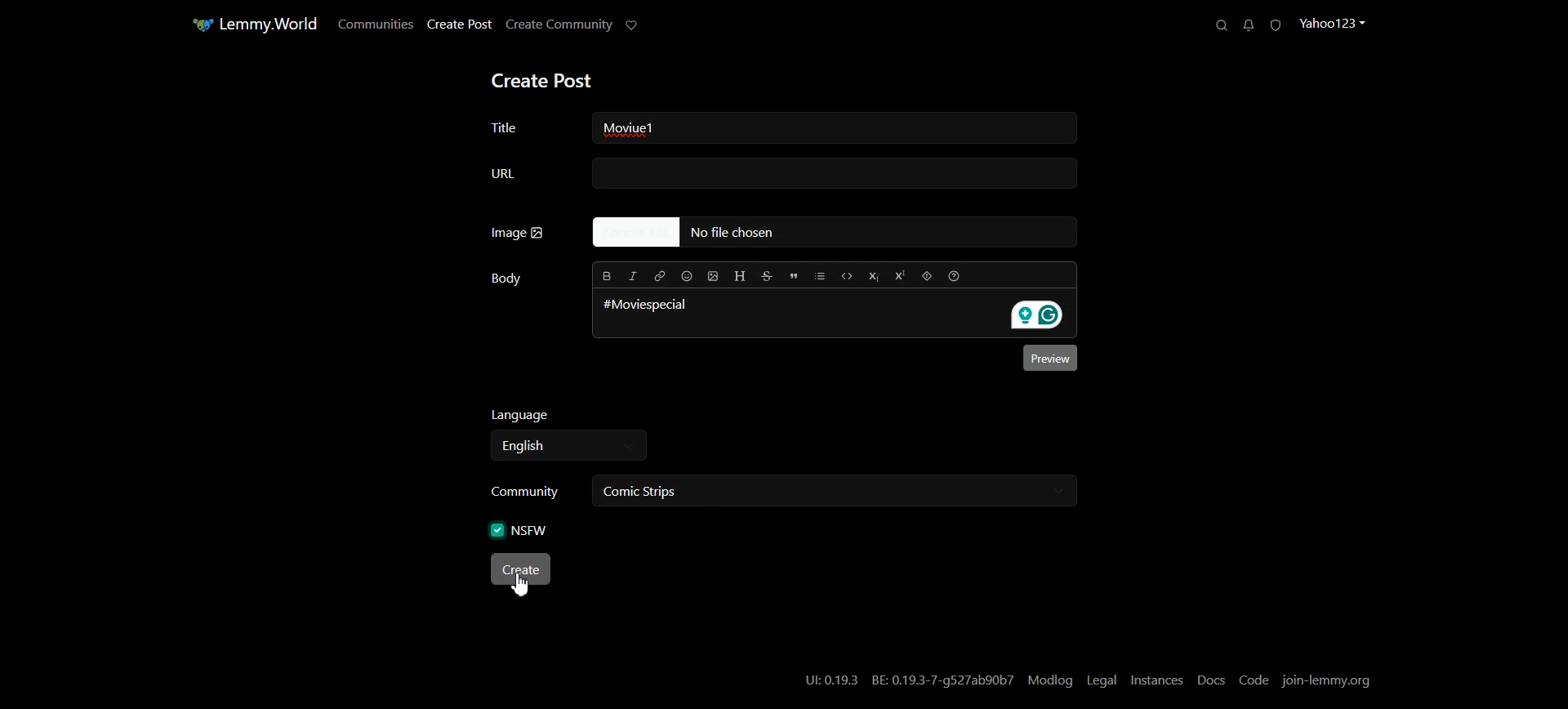 The image size is (1568, 709). I want to click on Superscript, so click(902, 274).